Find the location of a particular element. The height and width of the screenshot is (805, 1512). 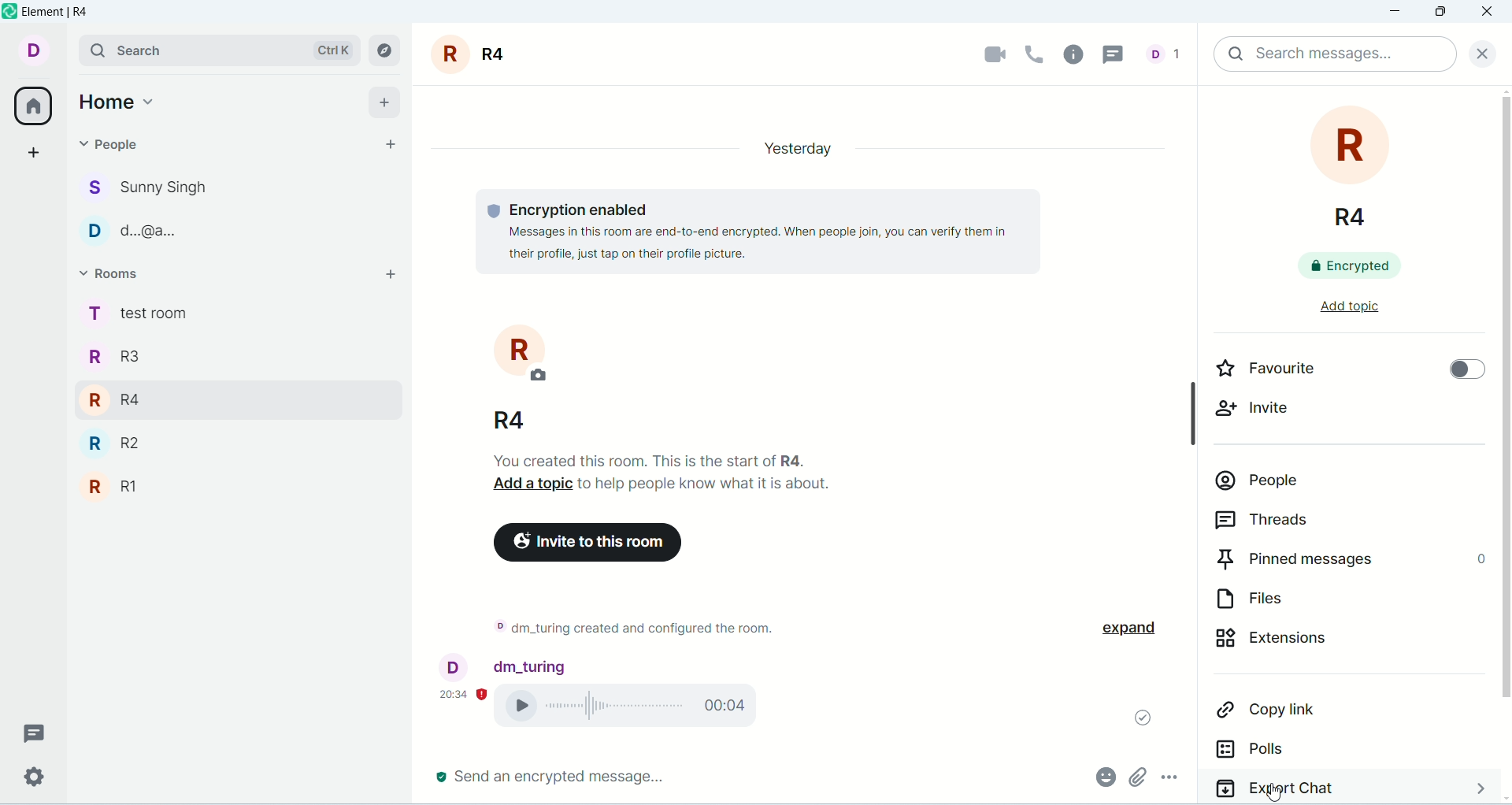

invite to room is located at coordinates (589, 543).